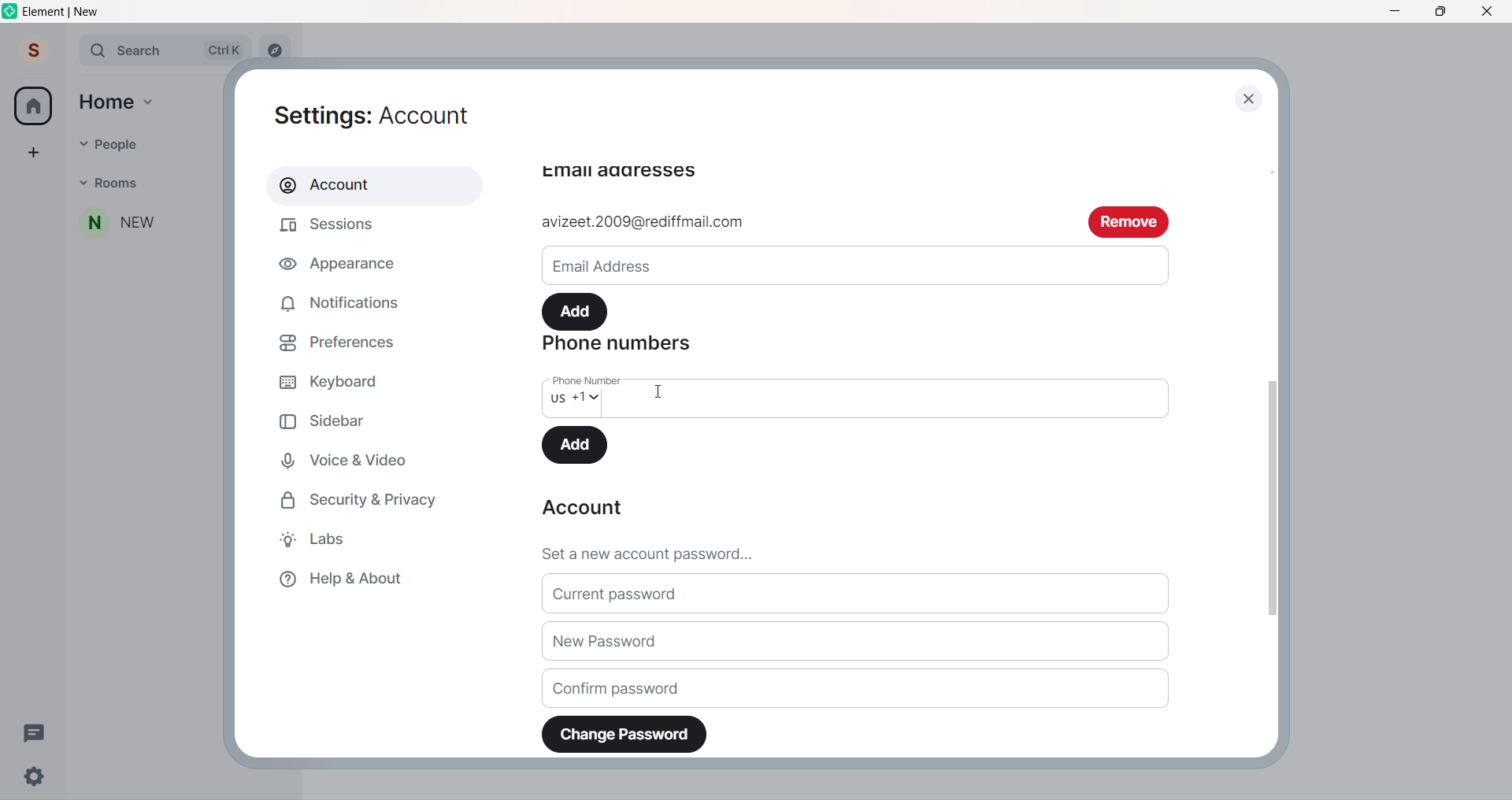 The width and height of the screenshot is (1512, 800). What do you see at coordinates (862, 551) in the screenshot?
I see `Set a new password` at bounding box center [862, 551].